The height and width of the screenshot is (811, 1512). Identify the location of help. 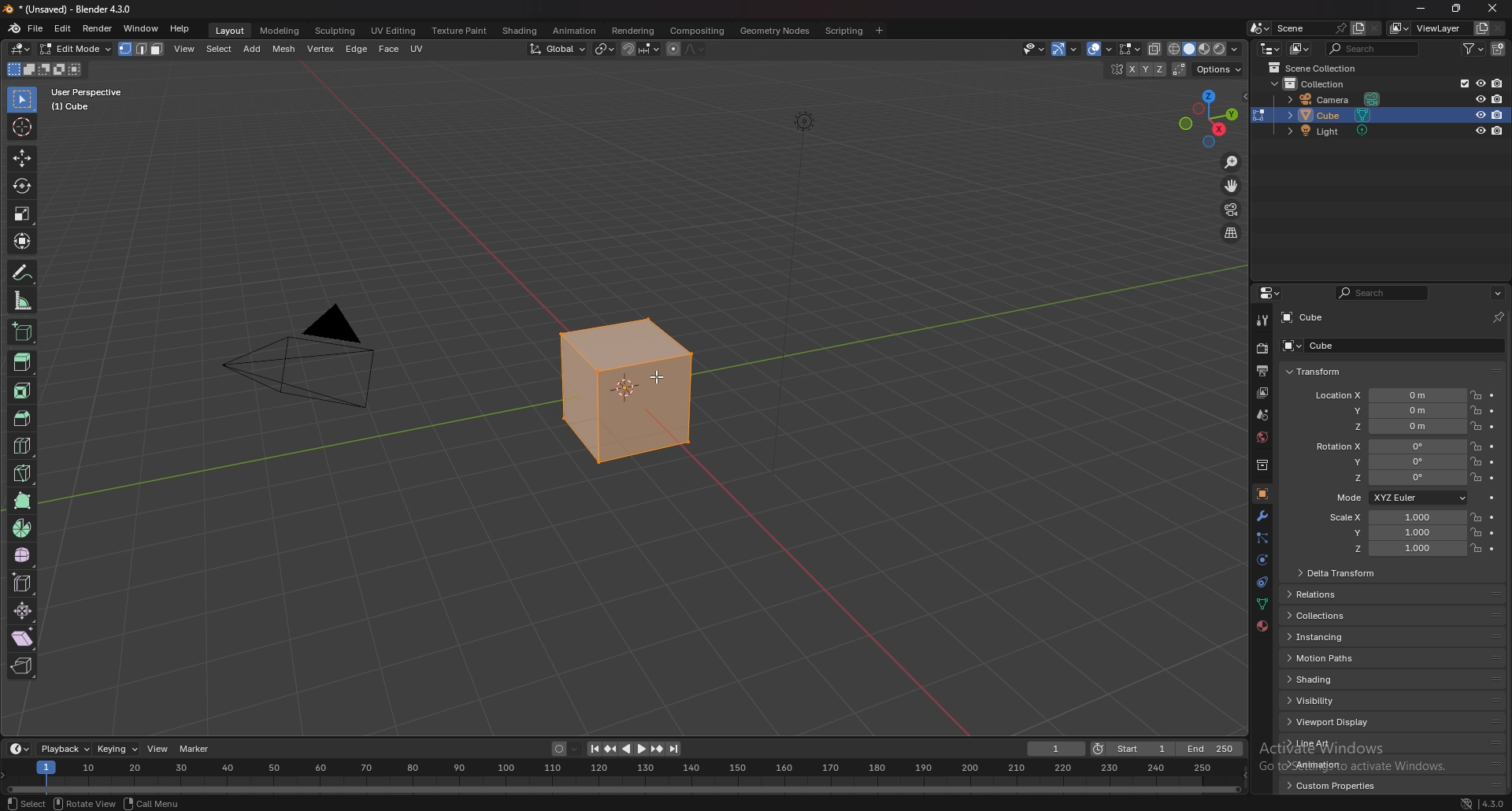
(180, 29).